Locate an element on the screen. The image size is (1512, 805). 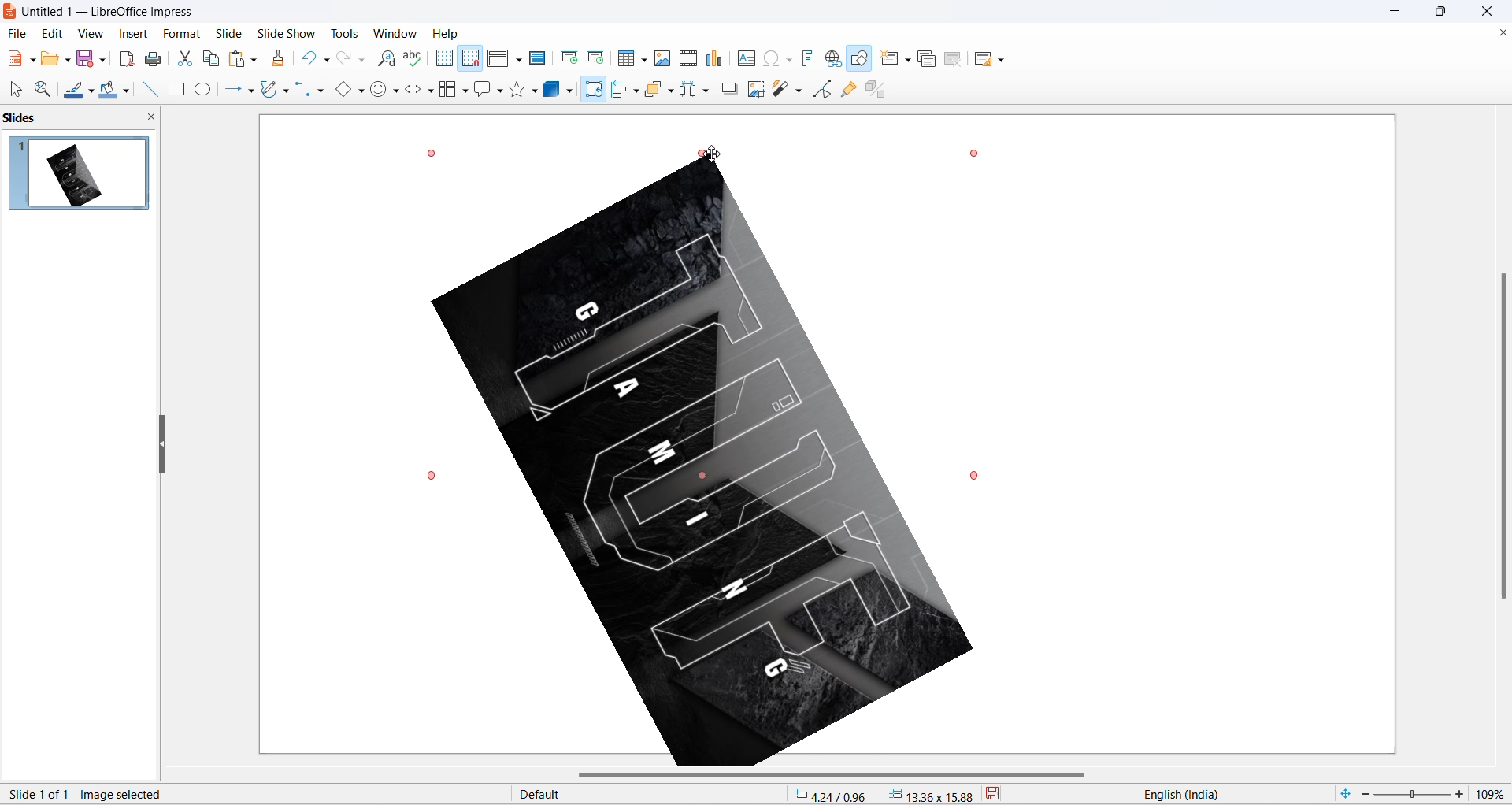
Slide layout options is located at coordinates (1005, 61).